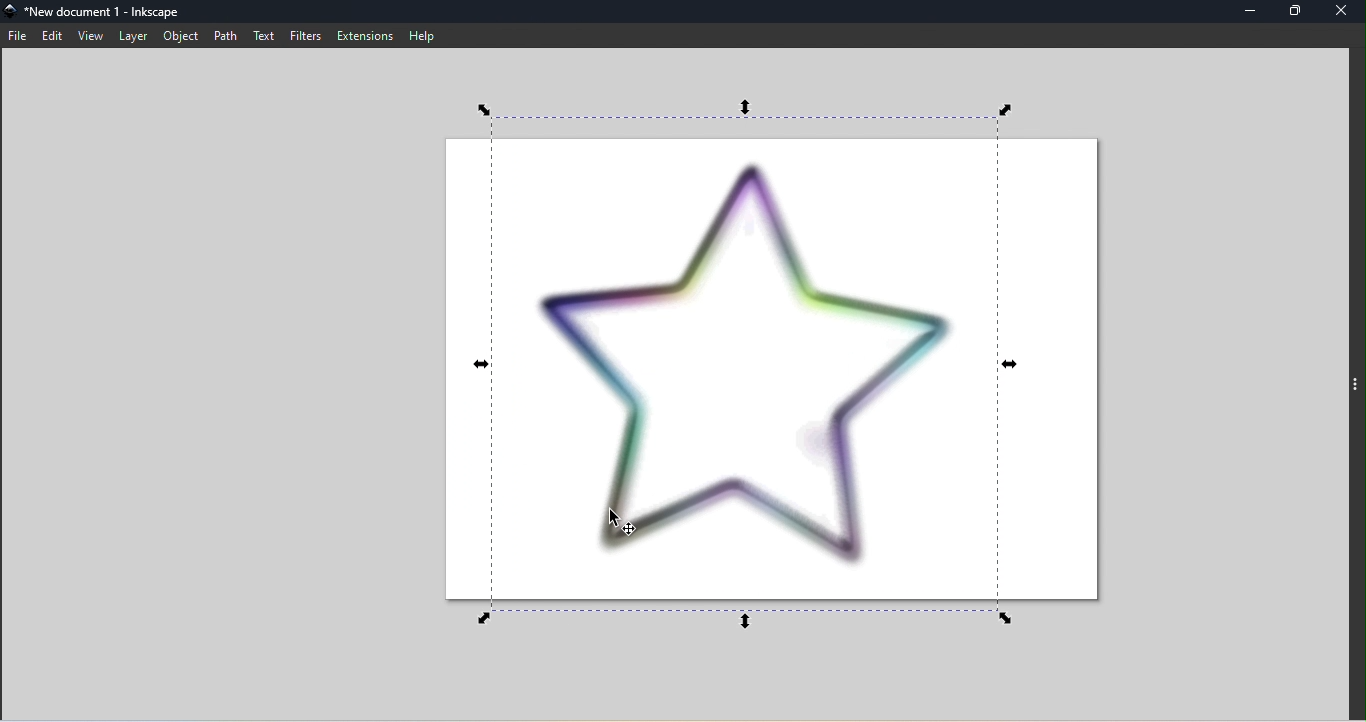 This screenshot has height=722, width=1366. What do you see at coordinates (226, 37) in the screenshot?
I see `Path` at bounding box center [226, 37].